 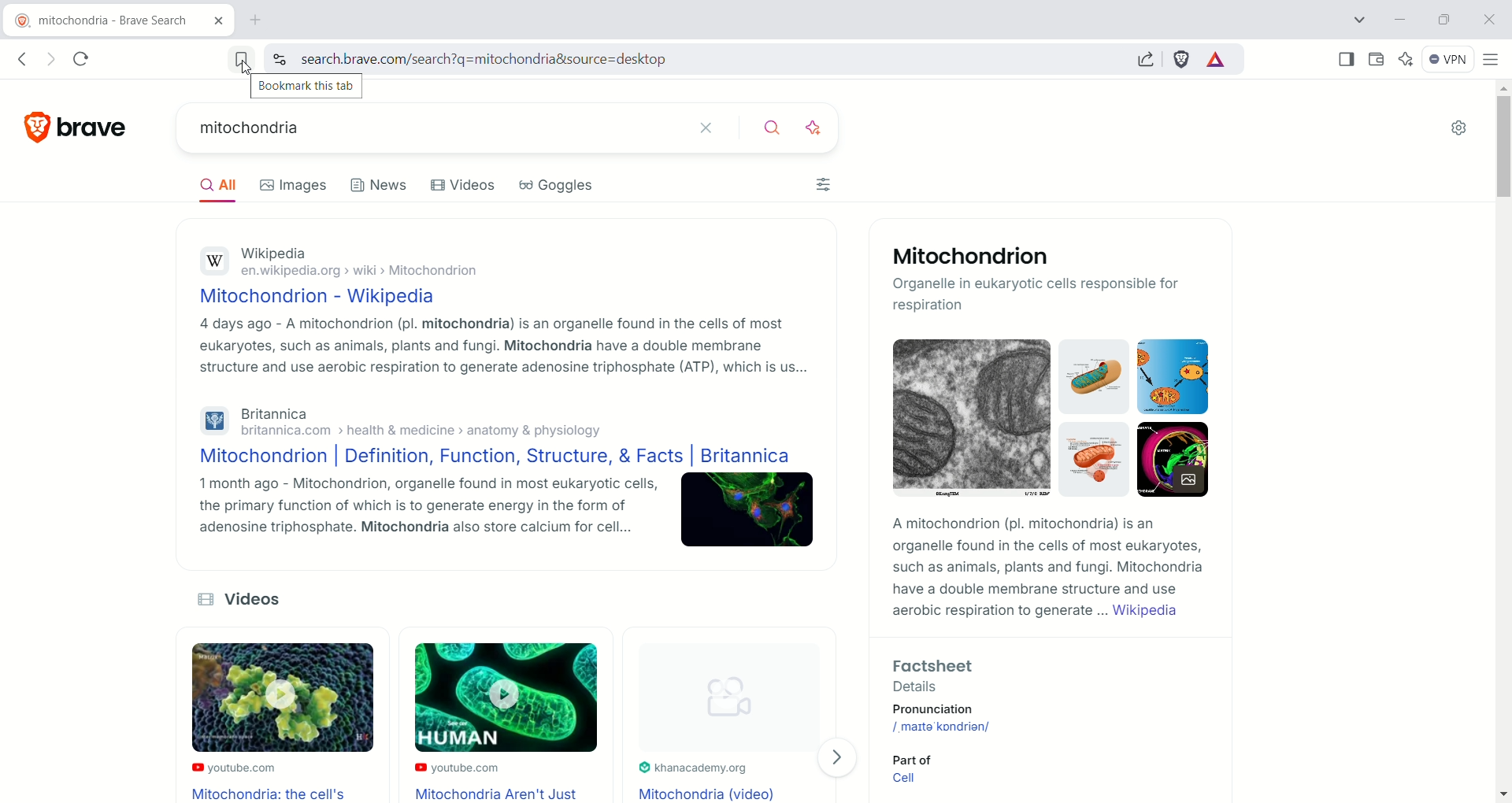 I want to click on Image, so click(x=748, y=513).